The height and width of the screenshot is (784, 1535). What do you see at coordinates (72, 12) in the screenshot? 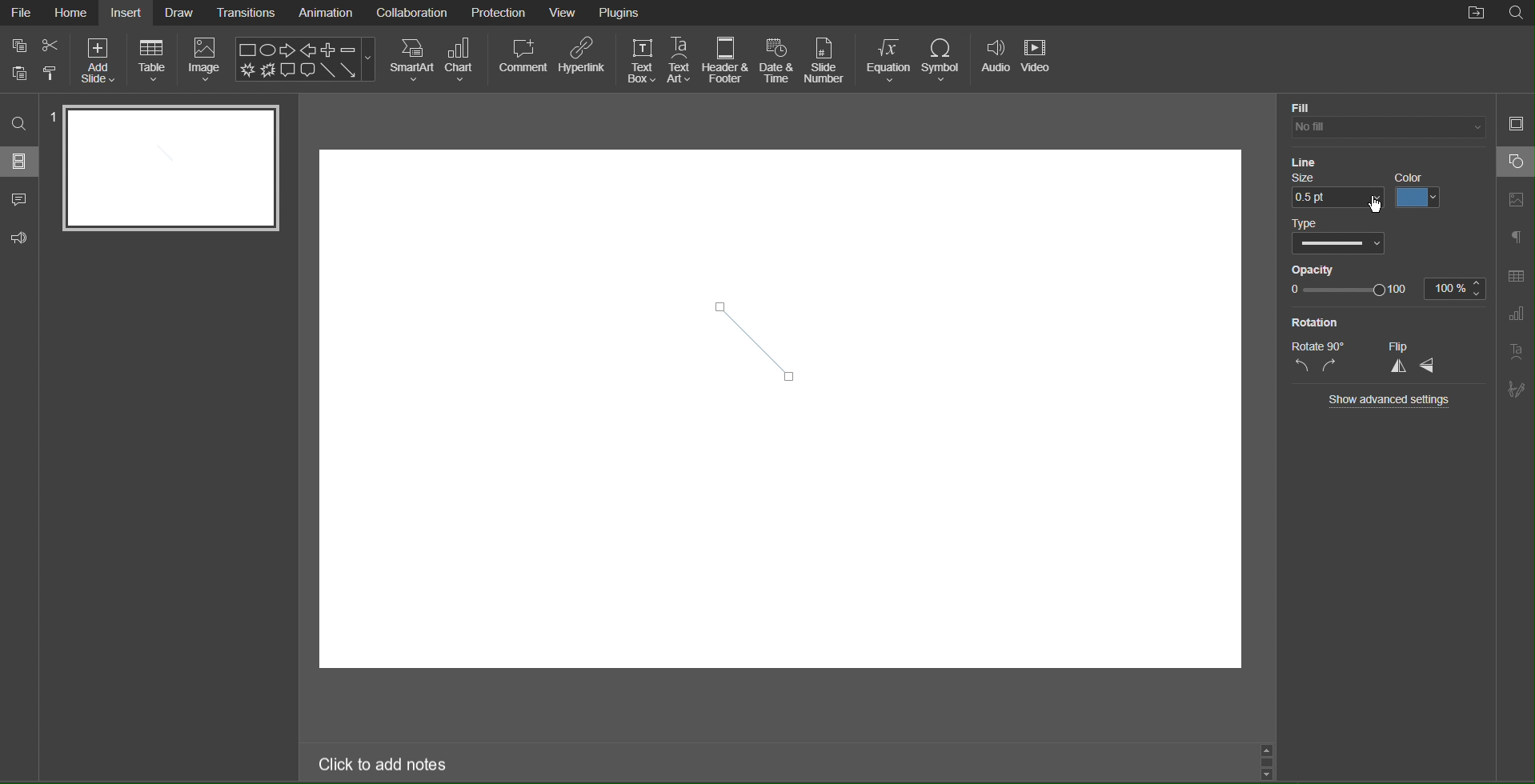
I see `Home` at bounding box center [72, 12].